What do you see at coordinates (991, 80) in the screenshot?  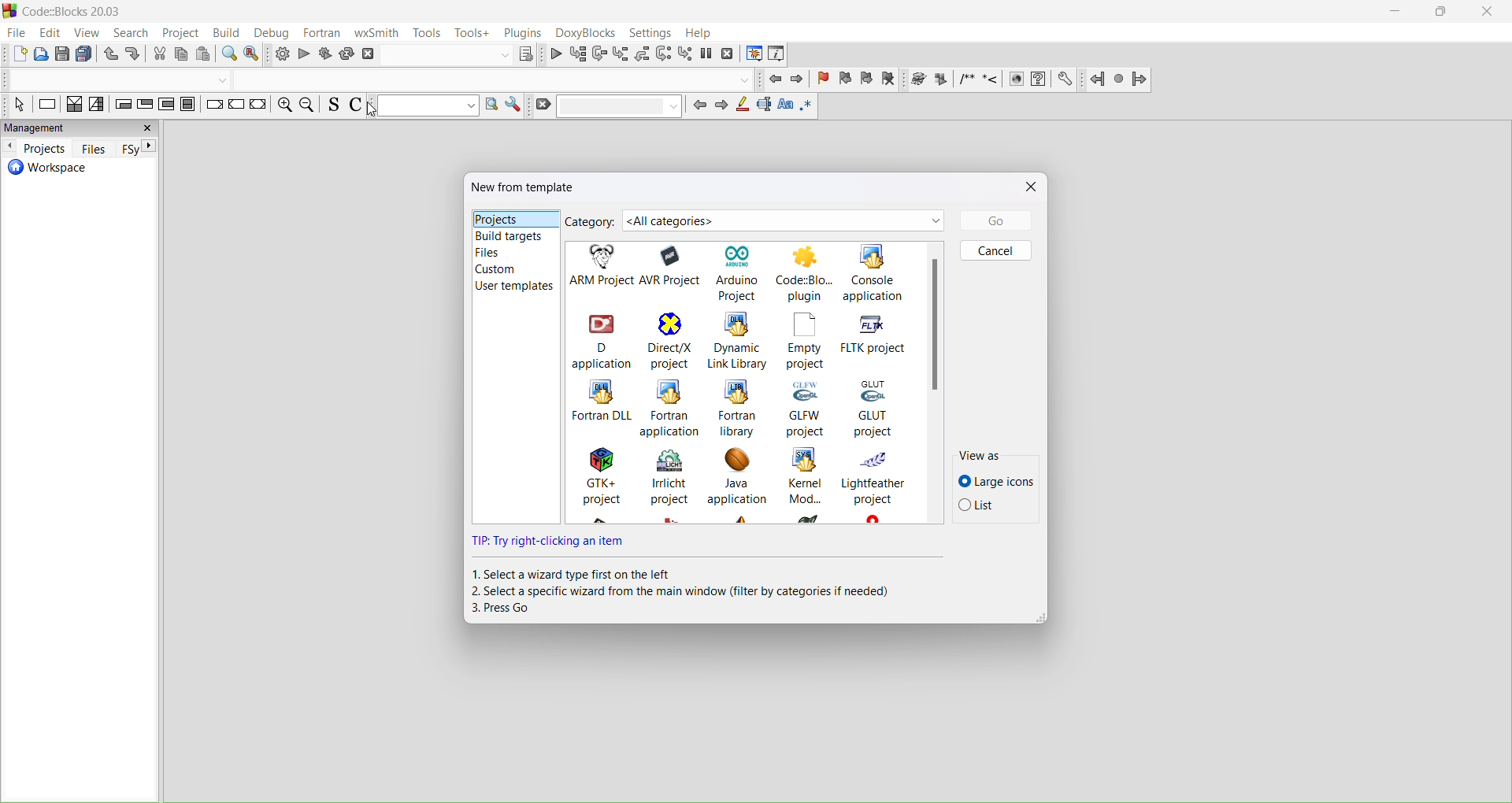 I see `Insert line` at bounding box center [991, 80].